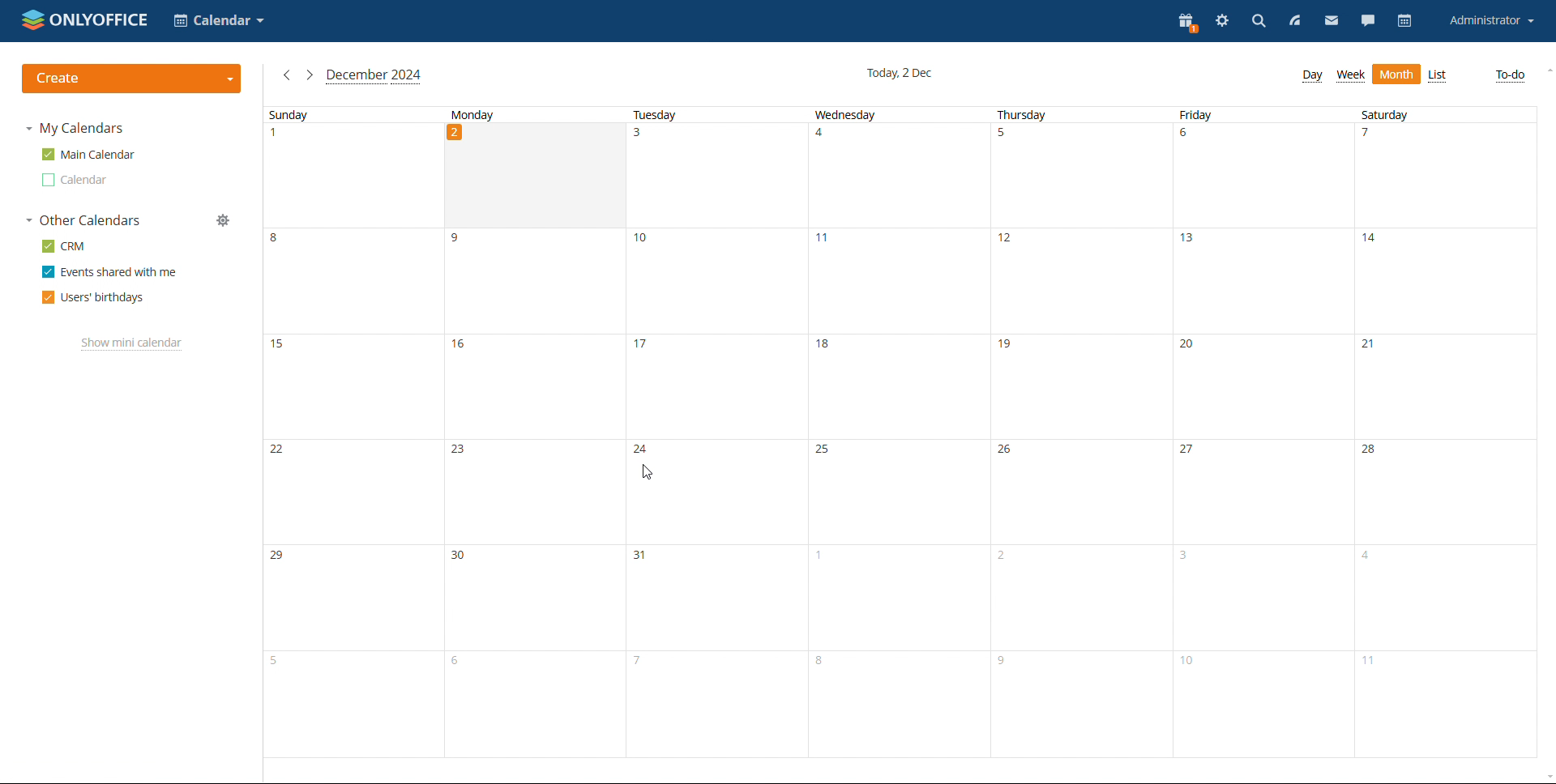  What do you see at coordinates (276, 660) in the screenshot?
I see `5` at bounding box center [276, 660].